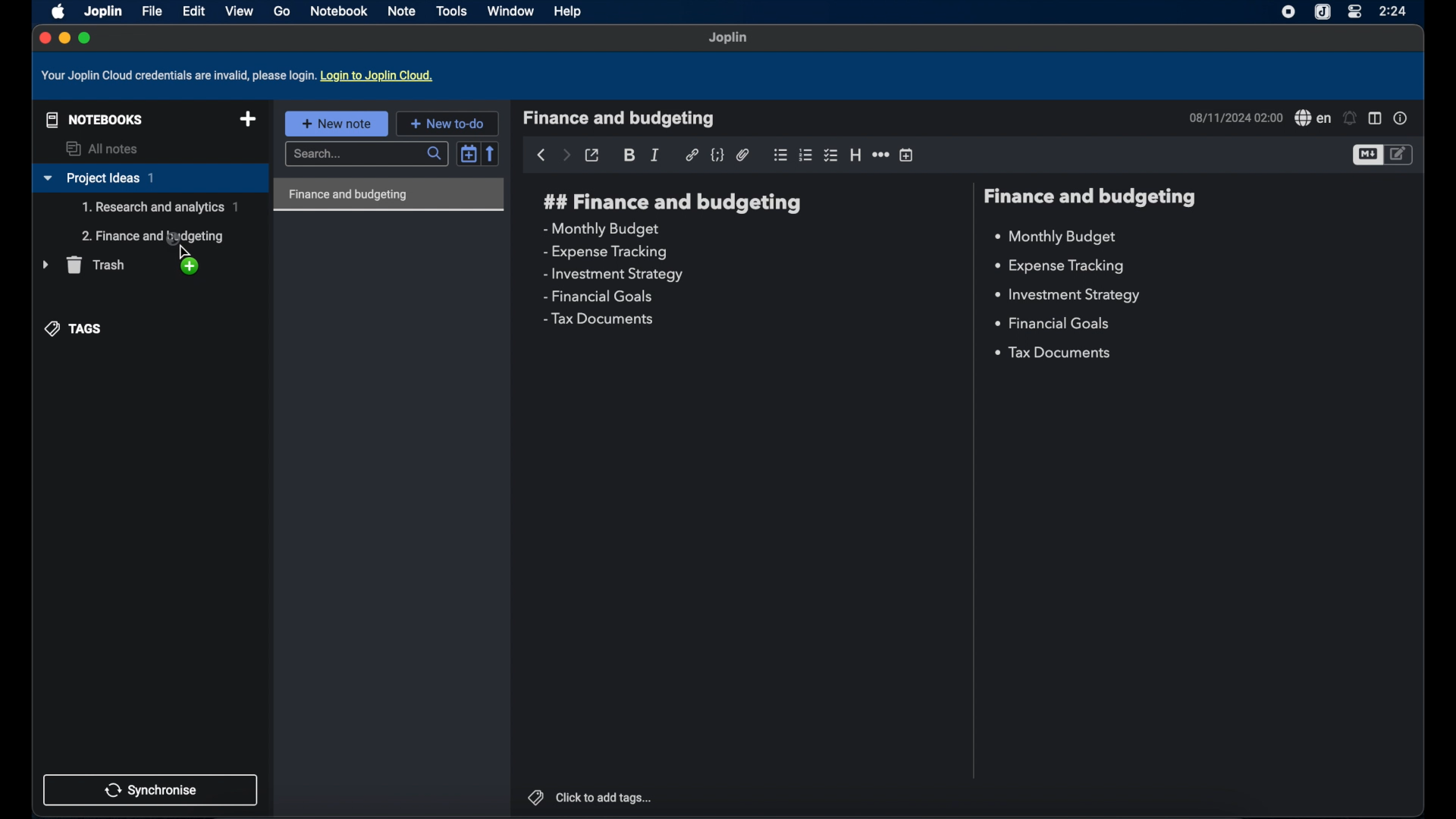 The width and height of the screenshot is (1456, 819). Describe the element at coordinates (1059, 267) in the screenshot. I see `expense tracking` at that location.